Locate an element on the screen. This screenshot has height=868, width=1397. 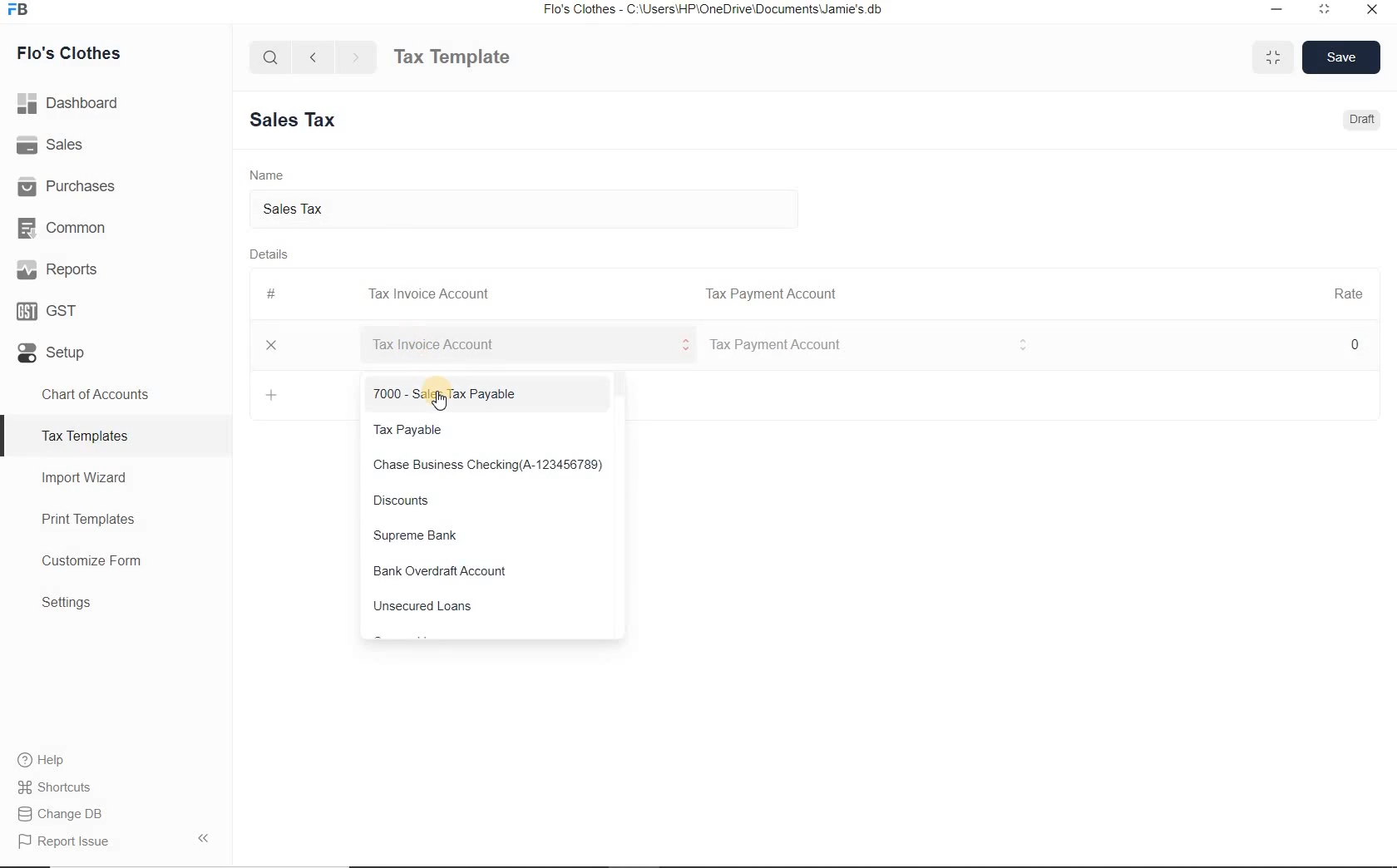
Flo's Clothes - C:\Users\HP\OneDrive\Documents\Jamie's db is located at coordinates (712, 9).